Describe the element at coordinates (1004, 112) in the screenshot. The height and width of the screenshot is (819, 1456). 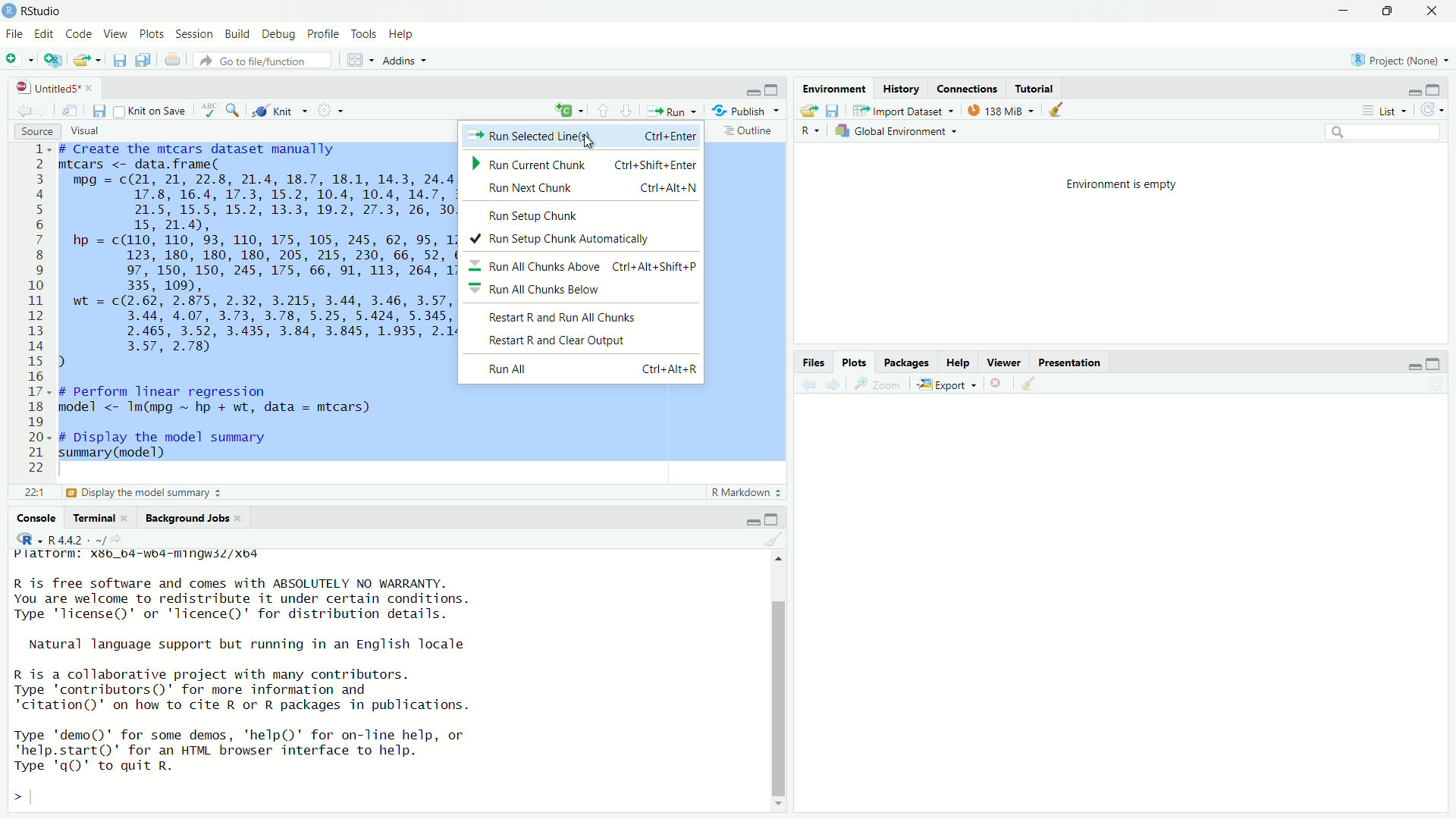
I see `138MB` at that location.